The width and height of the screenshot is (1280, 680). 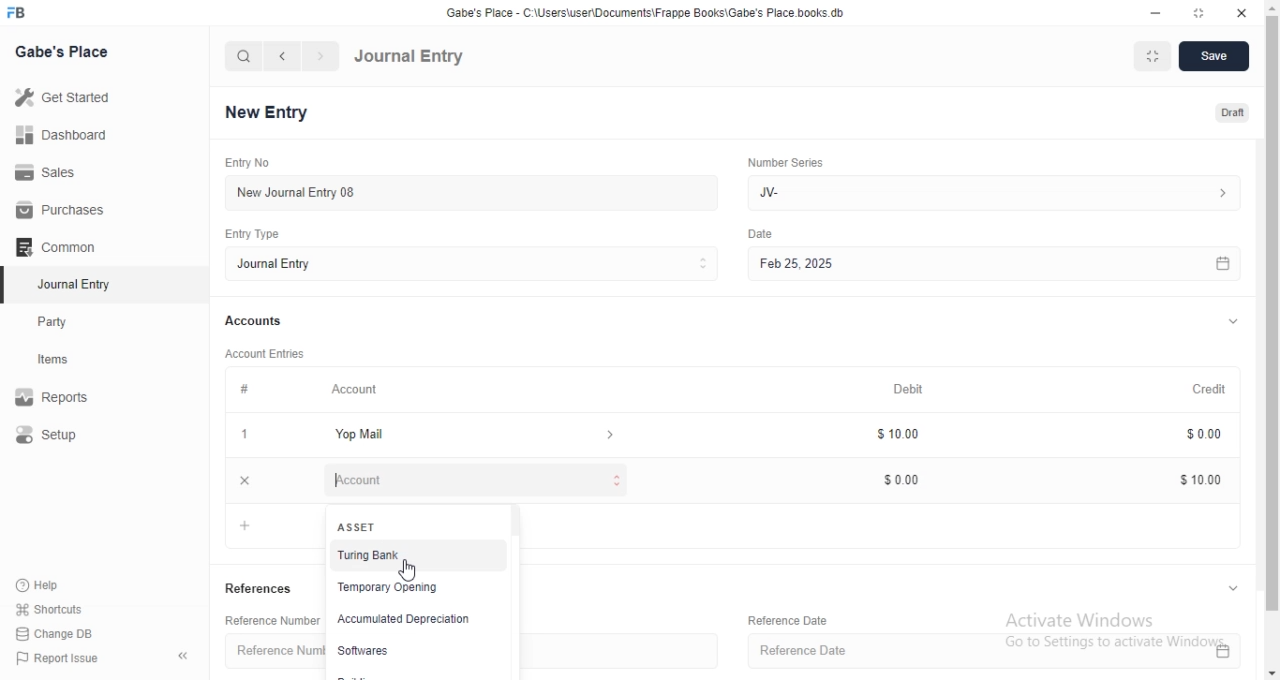 What do you see at coordinates (183, 657) in the screenshot?
I see `collapse sidebar` at bounding box center [183, 657].